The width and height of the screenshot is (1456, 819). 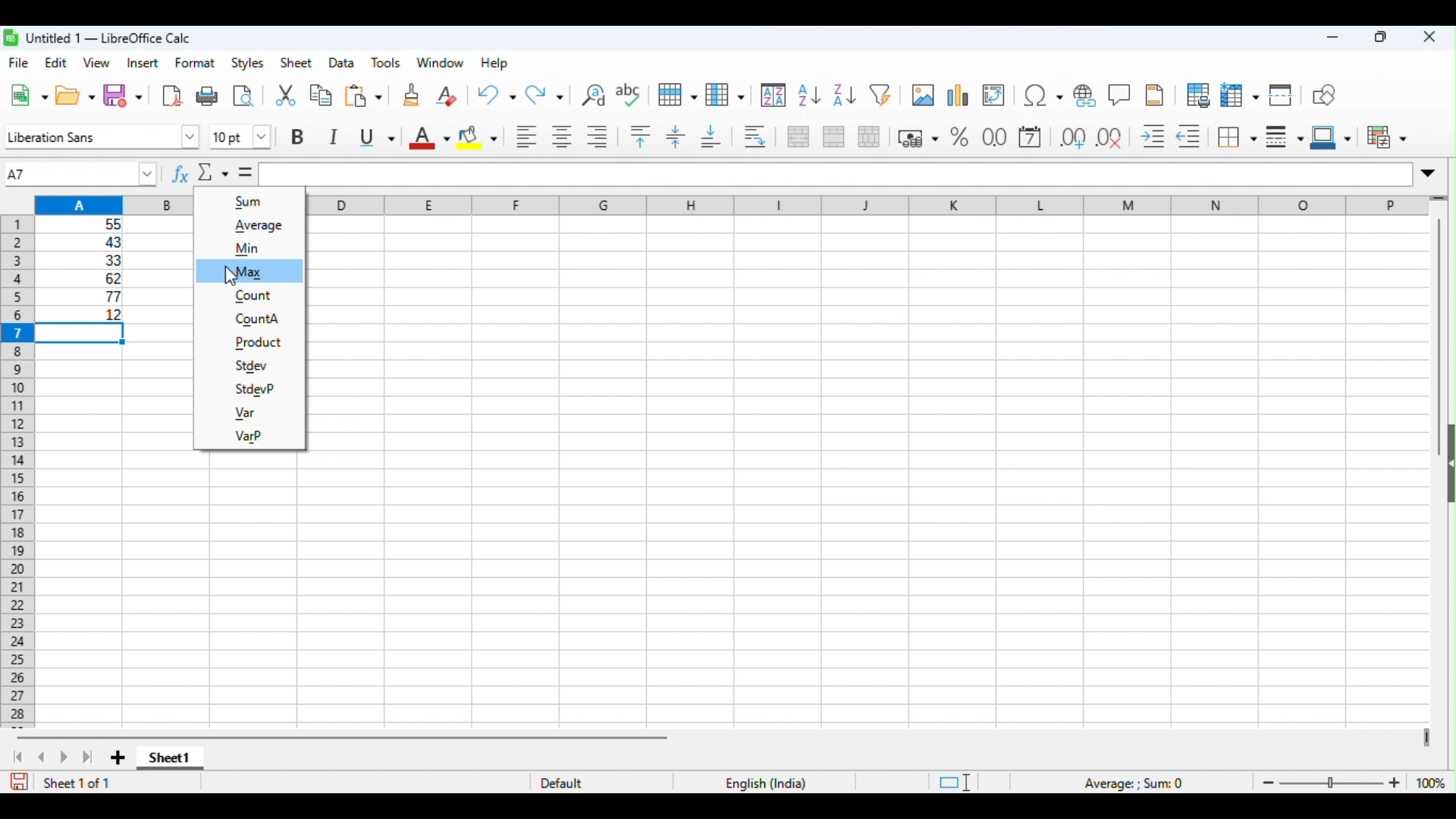 What do you see at coordinates (80, 334) in the screenshot?
I see `selected cell` at bounding box center [80, 334].